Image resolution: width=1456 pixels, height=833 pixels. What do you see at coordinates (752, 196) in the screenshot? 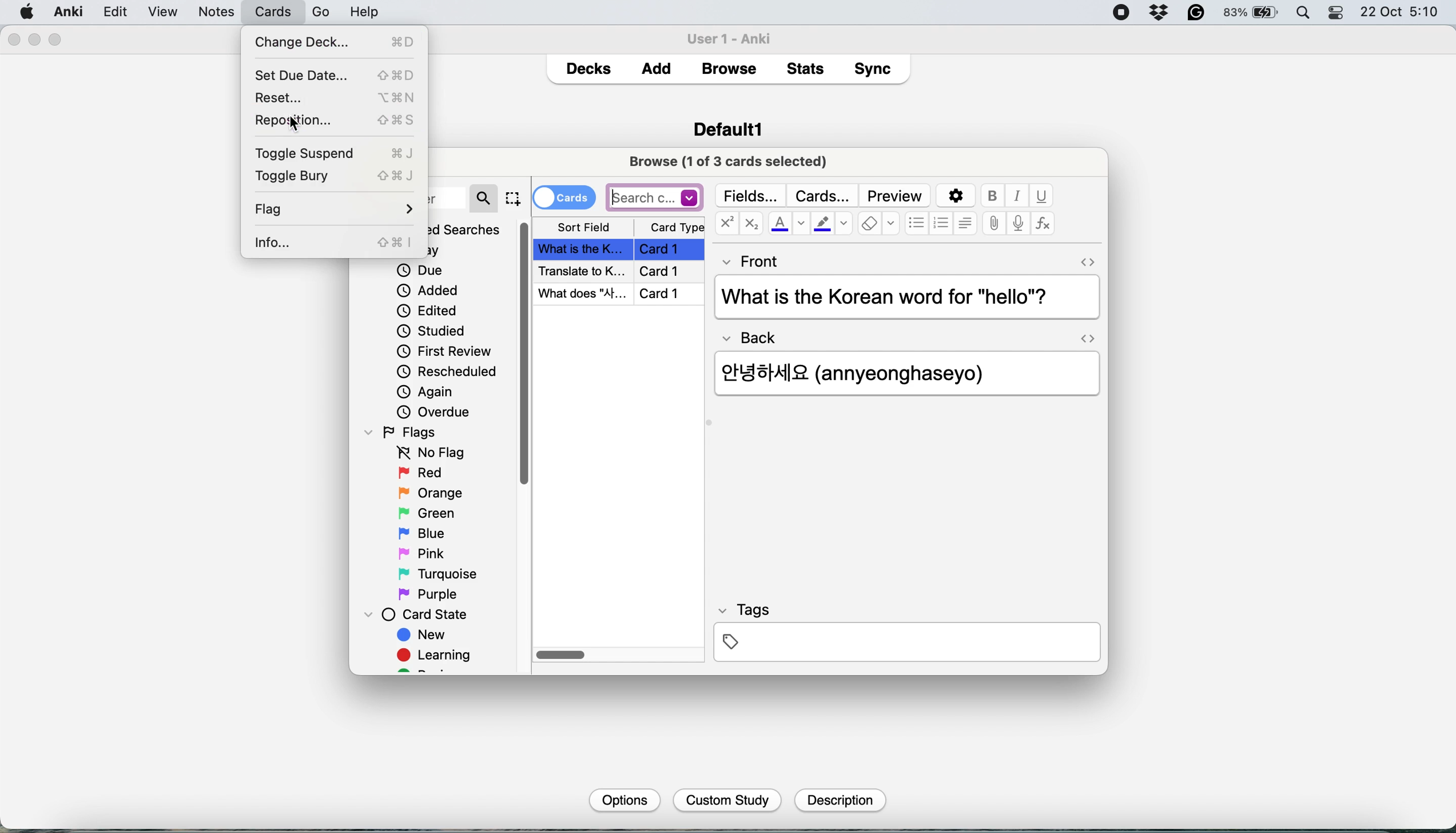
I see `fields` at bounding box center [752, 196].